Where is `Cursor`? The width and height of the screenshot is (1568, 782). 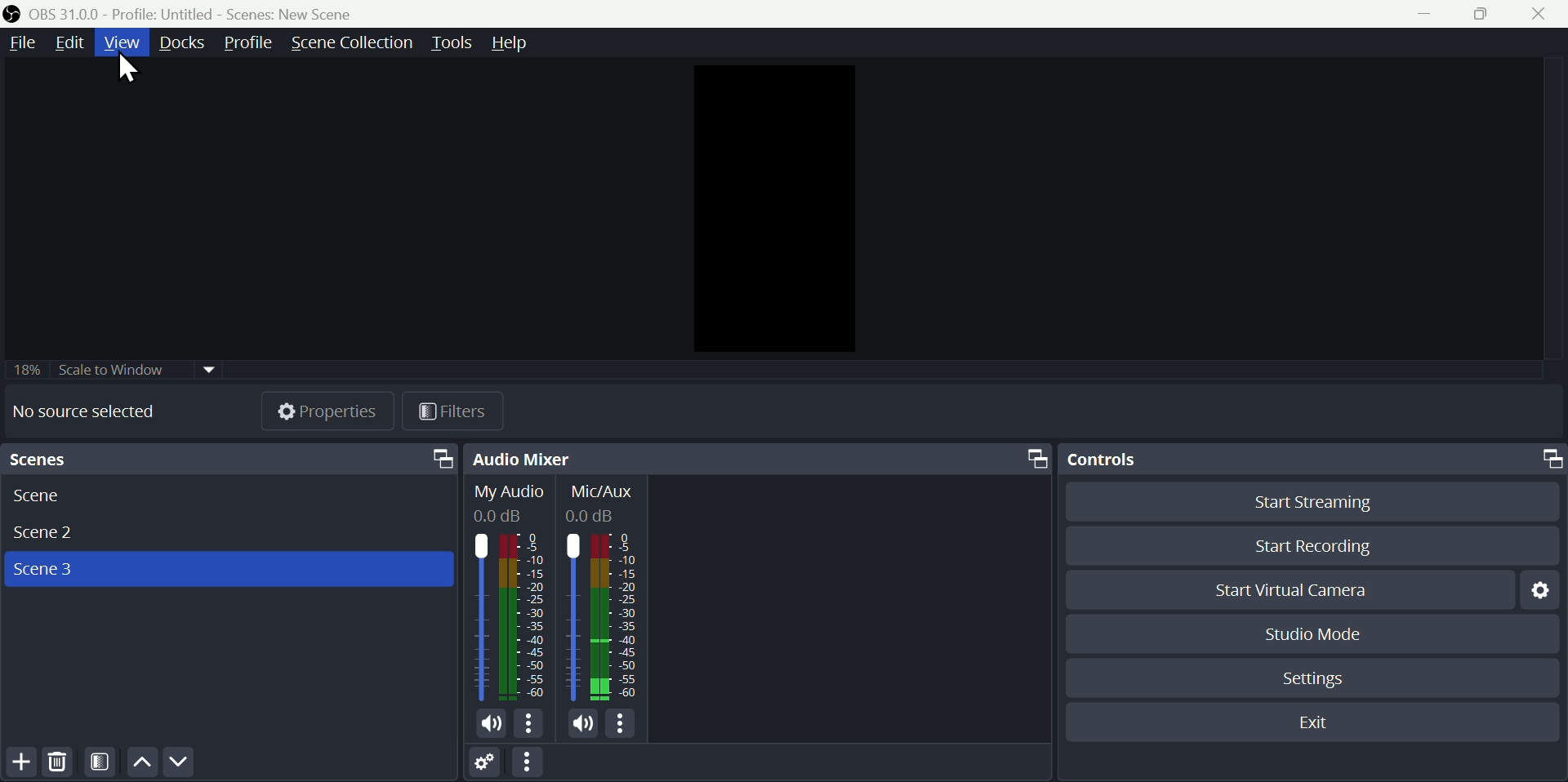 Cursor is located at coordinates (131, 70).